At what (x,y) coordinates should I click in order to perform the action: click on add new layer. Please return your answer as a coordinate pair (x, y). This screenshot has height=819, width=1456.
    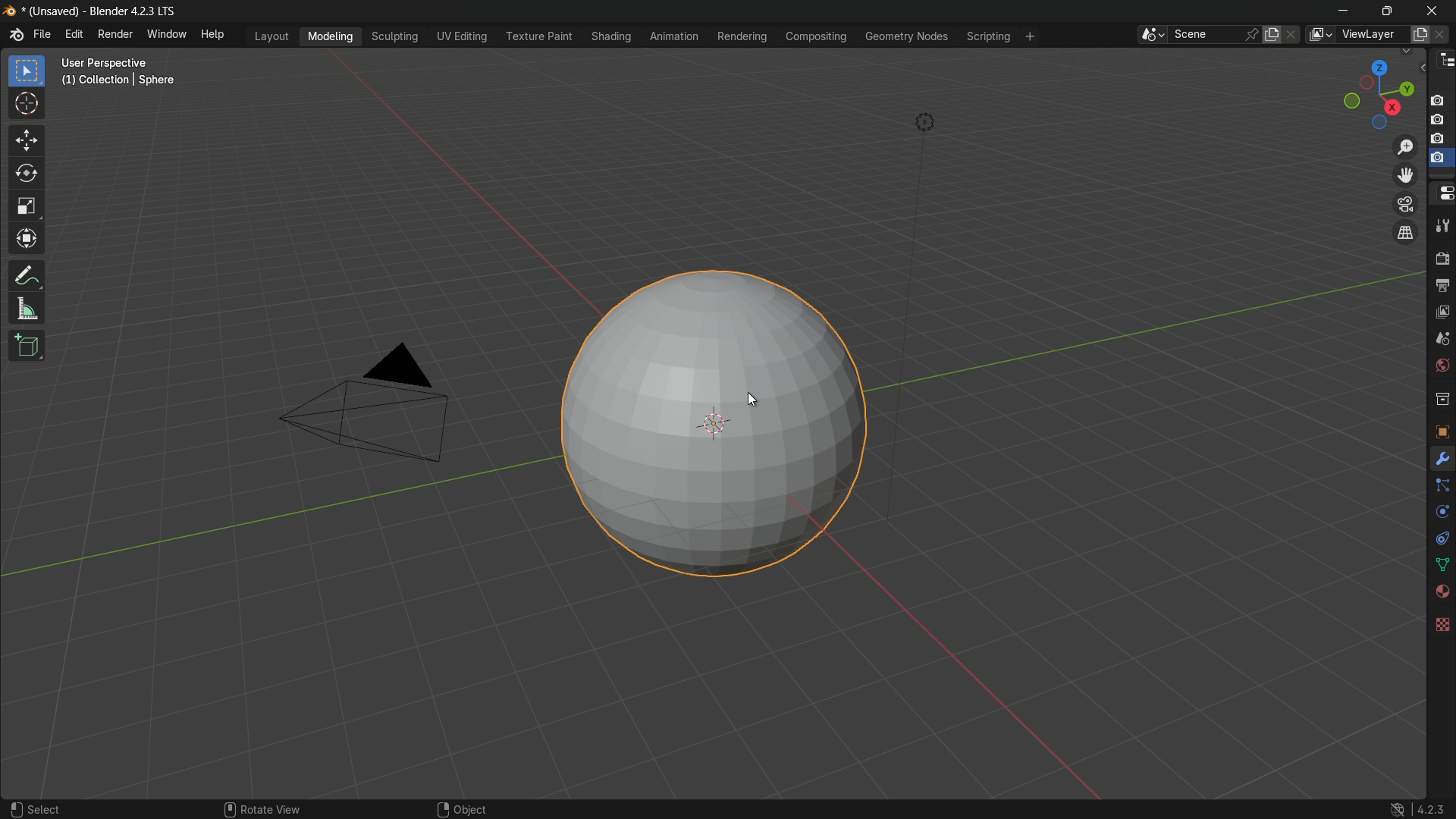
    Looking at the image, I should click on (1420, 33).